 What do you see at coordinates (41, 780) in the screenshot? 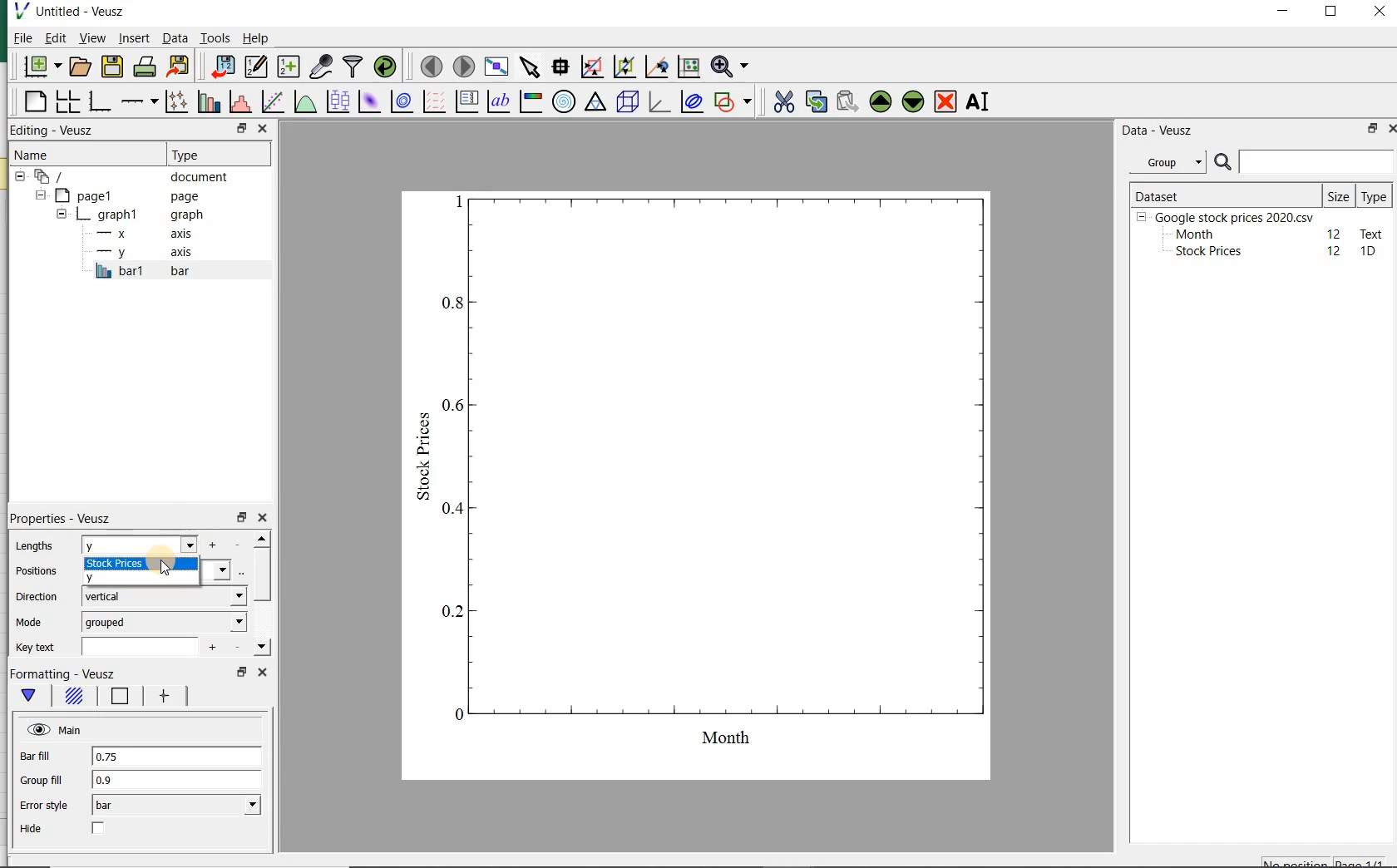
I see `Group fill` at bounding box center [41, 780].